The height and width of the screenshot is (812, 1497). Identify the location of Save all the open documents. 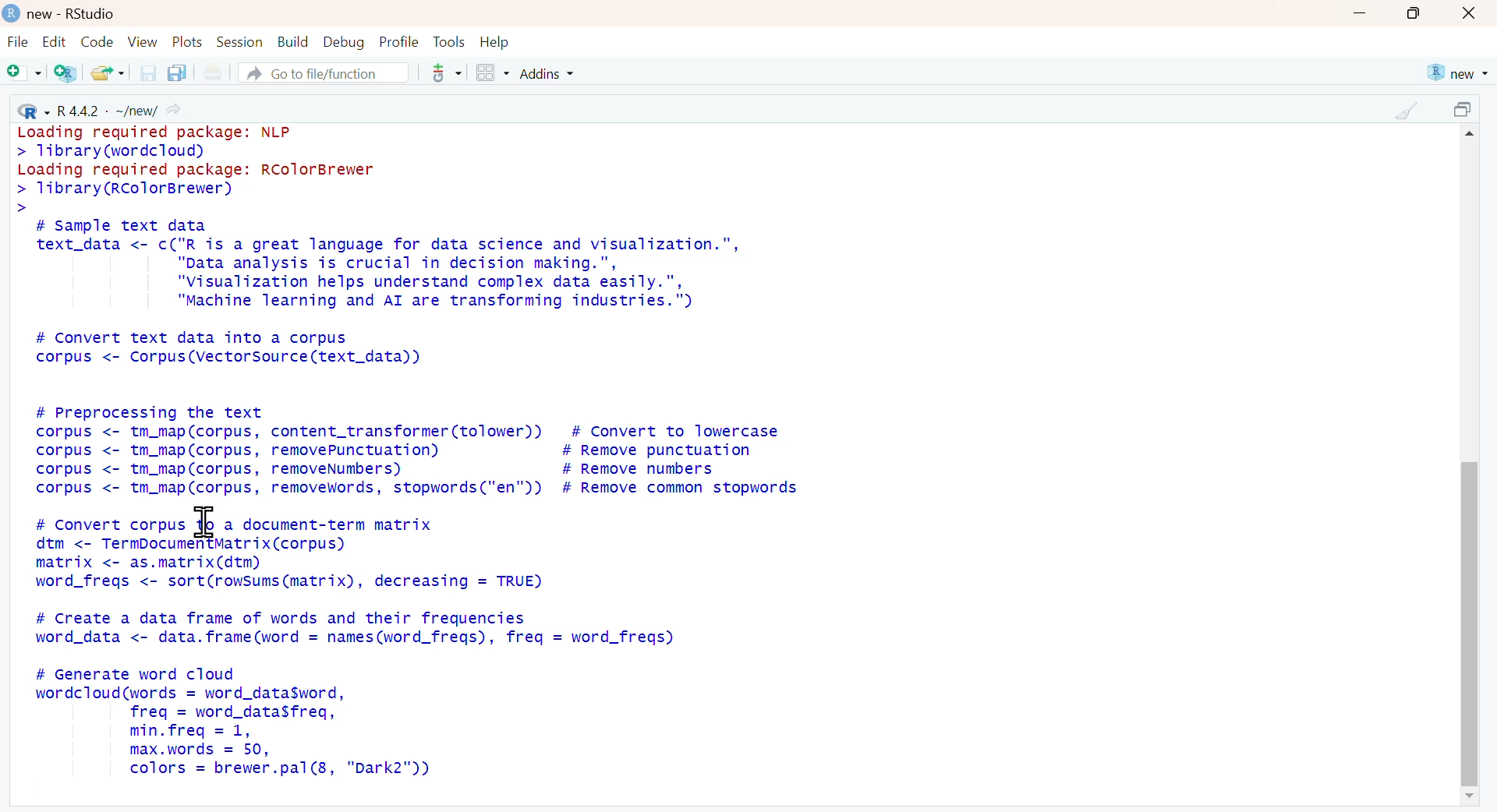
(176, 72).